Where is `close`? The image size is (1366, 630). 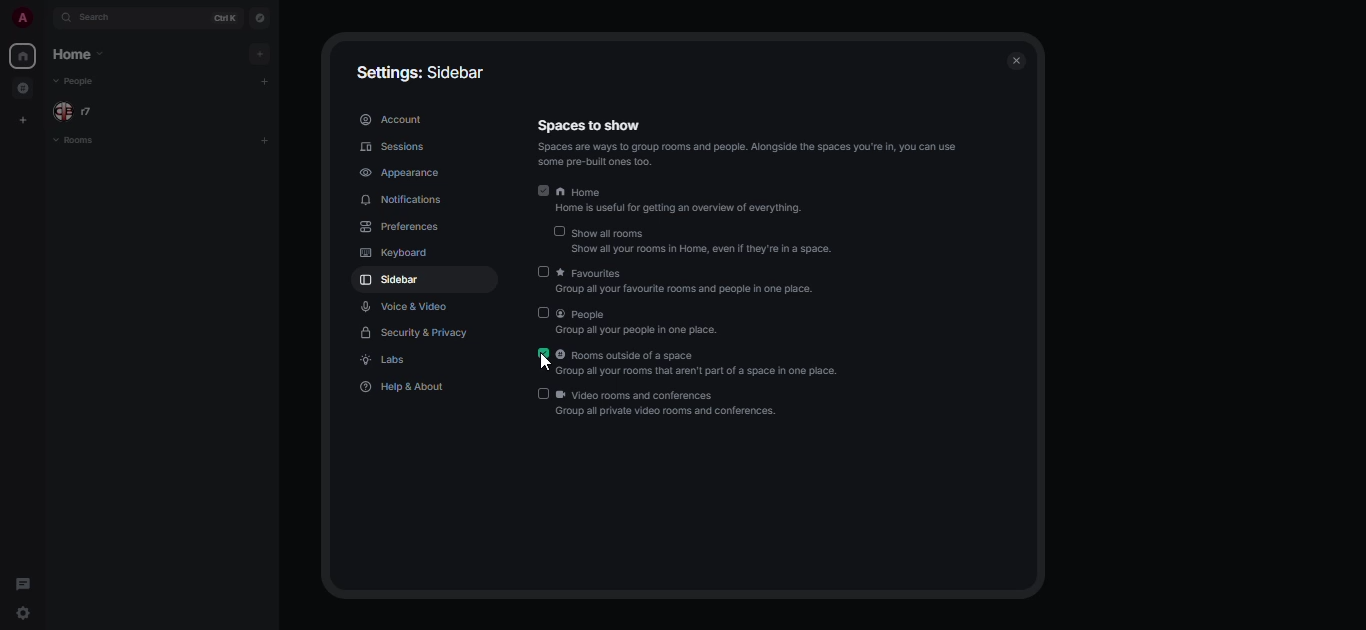 close is located at coordinates (1015, 59).